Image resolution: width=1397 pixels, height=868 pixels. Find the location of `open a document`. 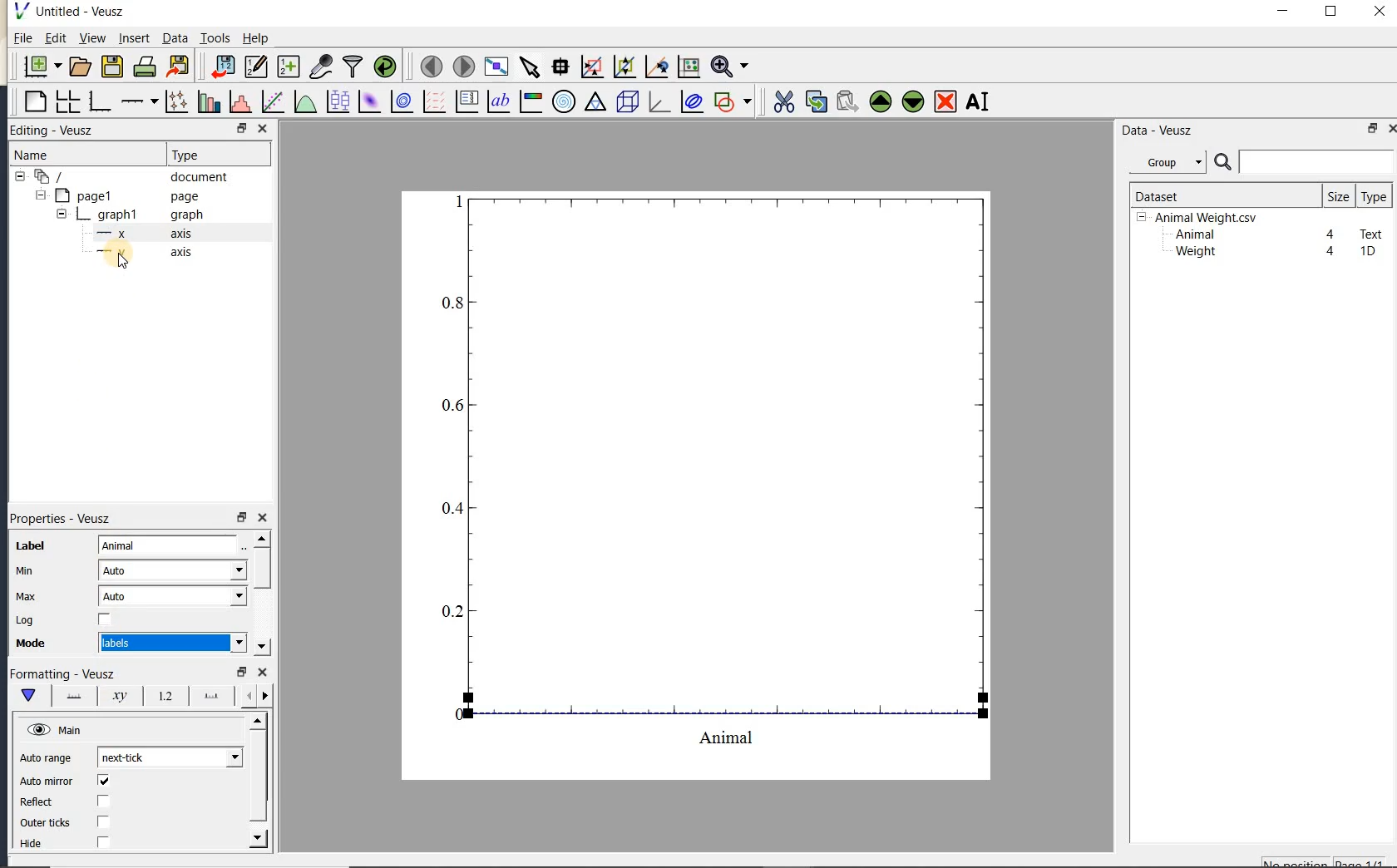

open a document is located at coordinates (78, 67).